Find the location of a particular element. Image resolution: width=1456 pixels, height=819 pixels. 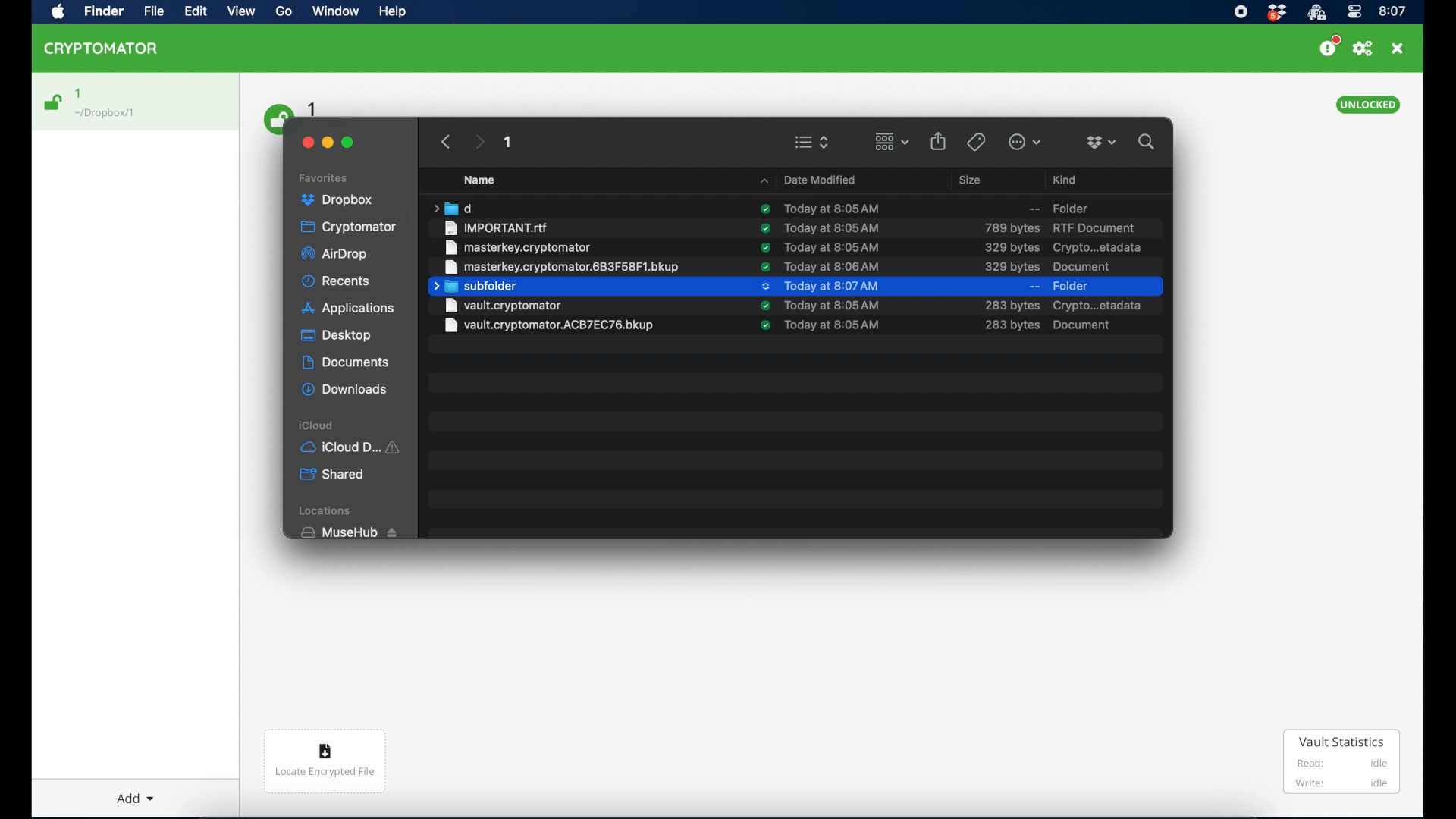

file name is located at coordinates (518, 247).